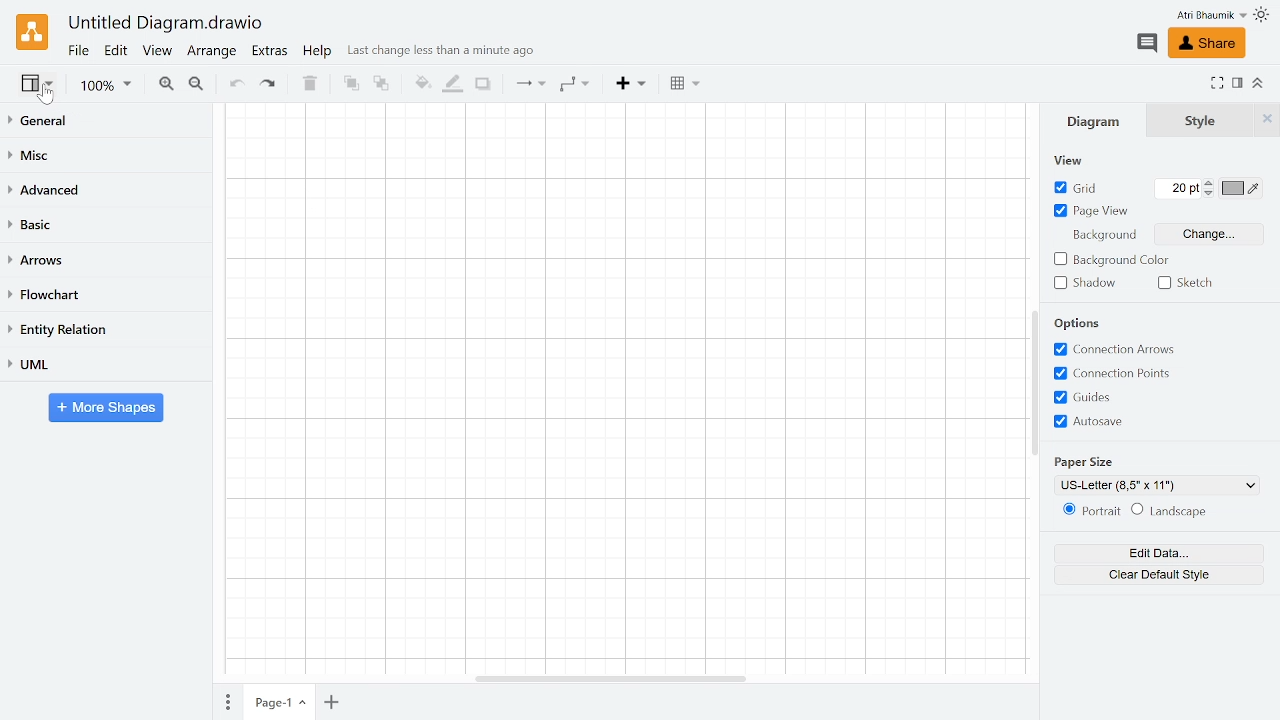 The image size is (1280, 720). What do you see at coordinates (1087, 322) in the screenshot?
I see `options` at bounding box center [1087, 322].